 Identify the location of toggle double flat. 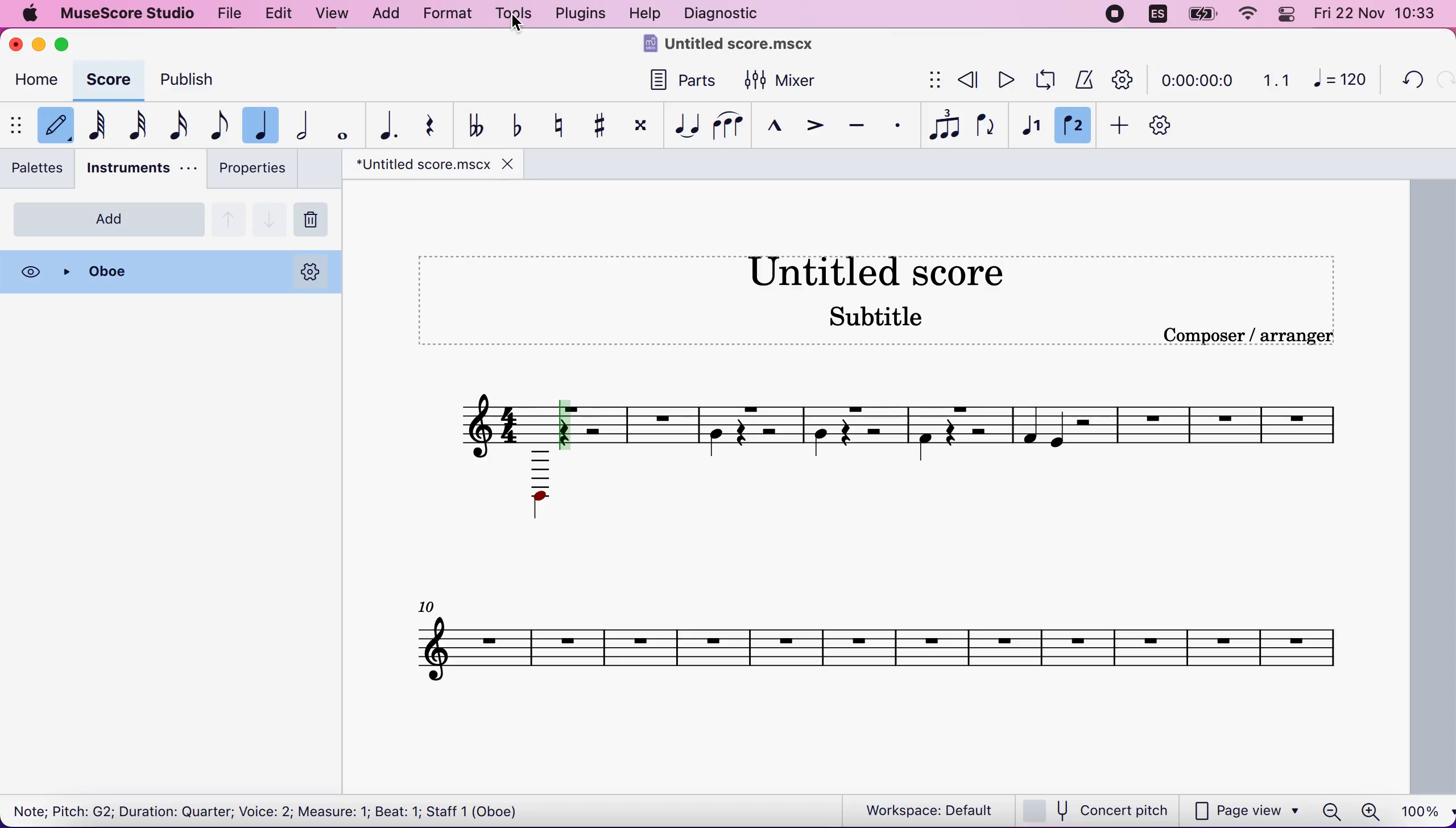
(481, 123).